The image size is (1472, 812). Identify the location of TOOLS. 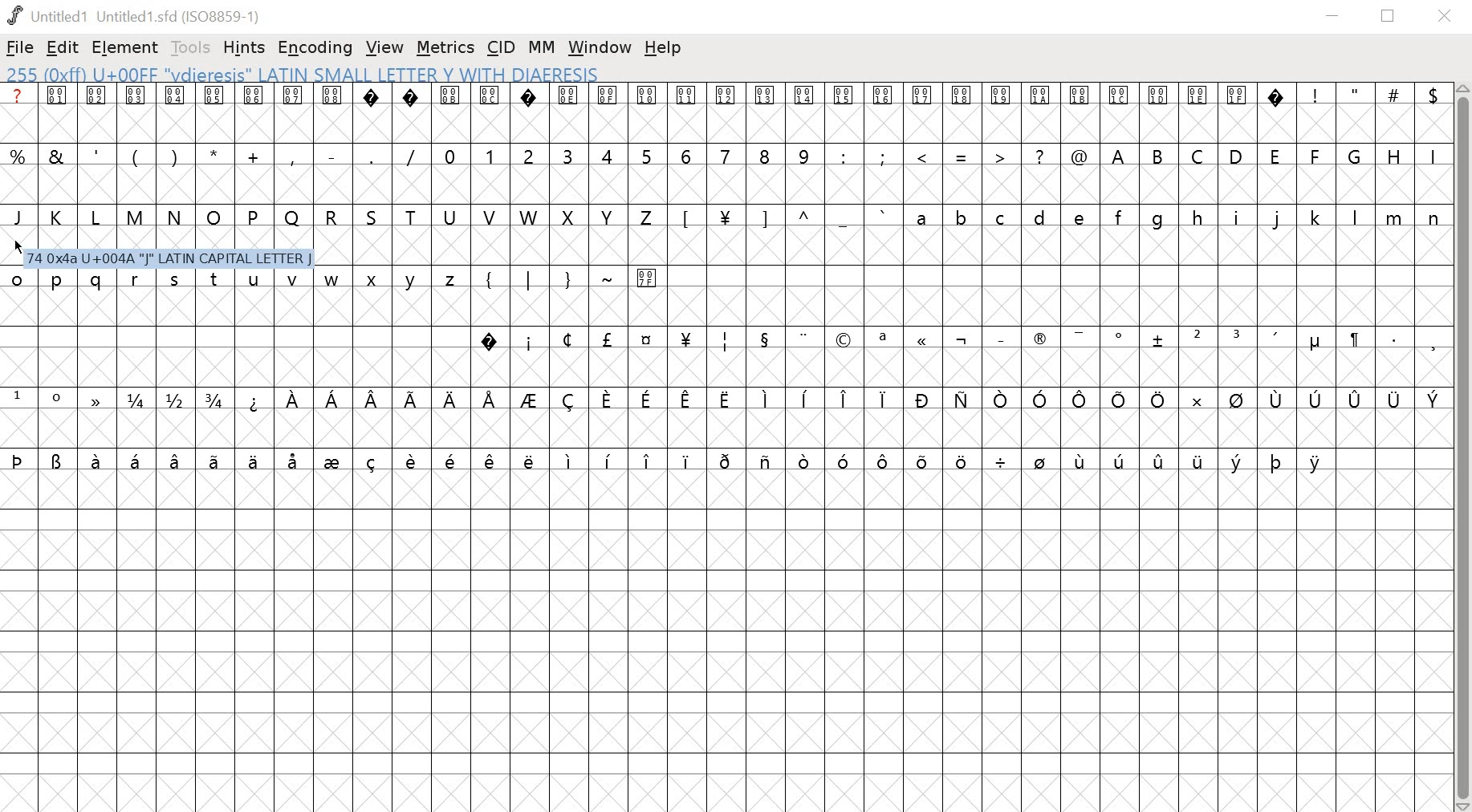
(193, 47).